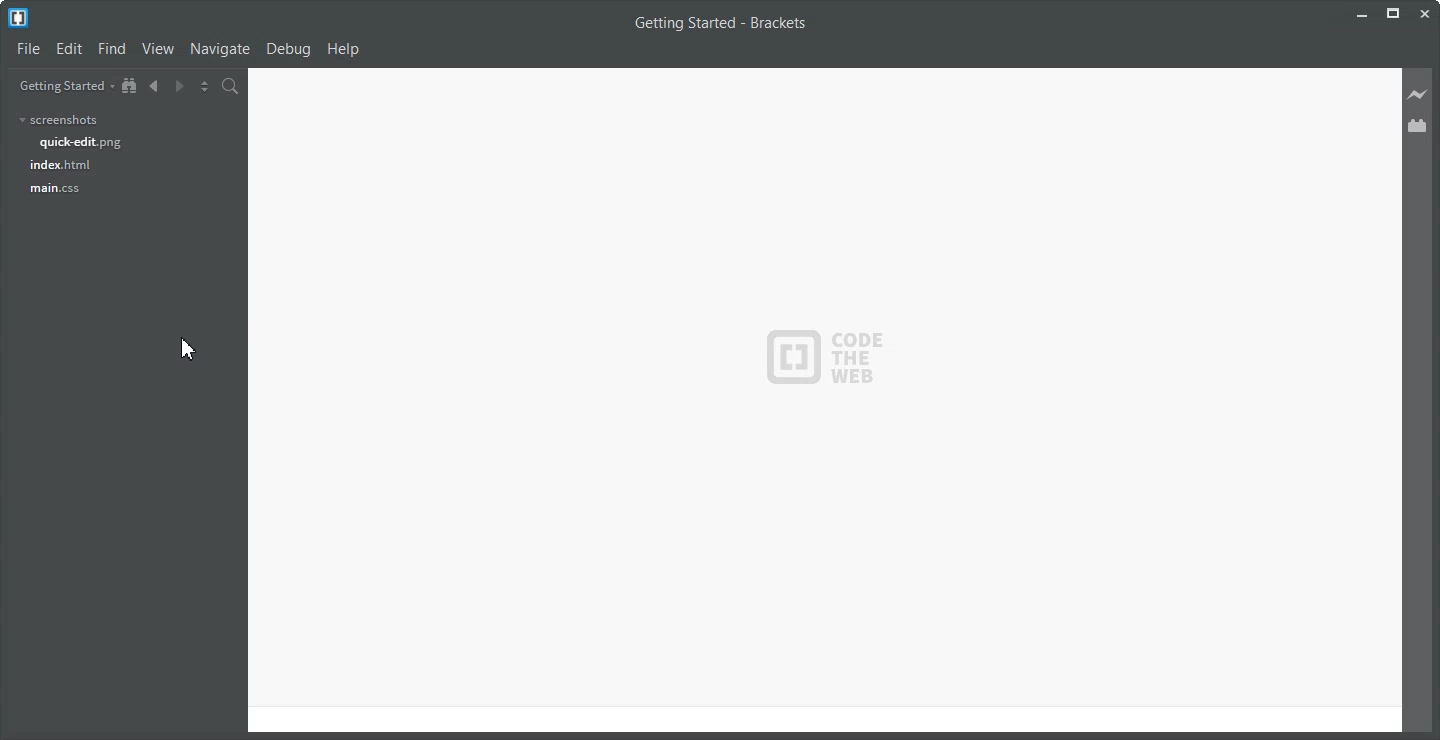  Describe the element at coordinates (232, 86) in the screenshot. I see `Find in Files` at that location.